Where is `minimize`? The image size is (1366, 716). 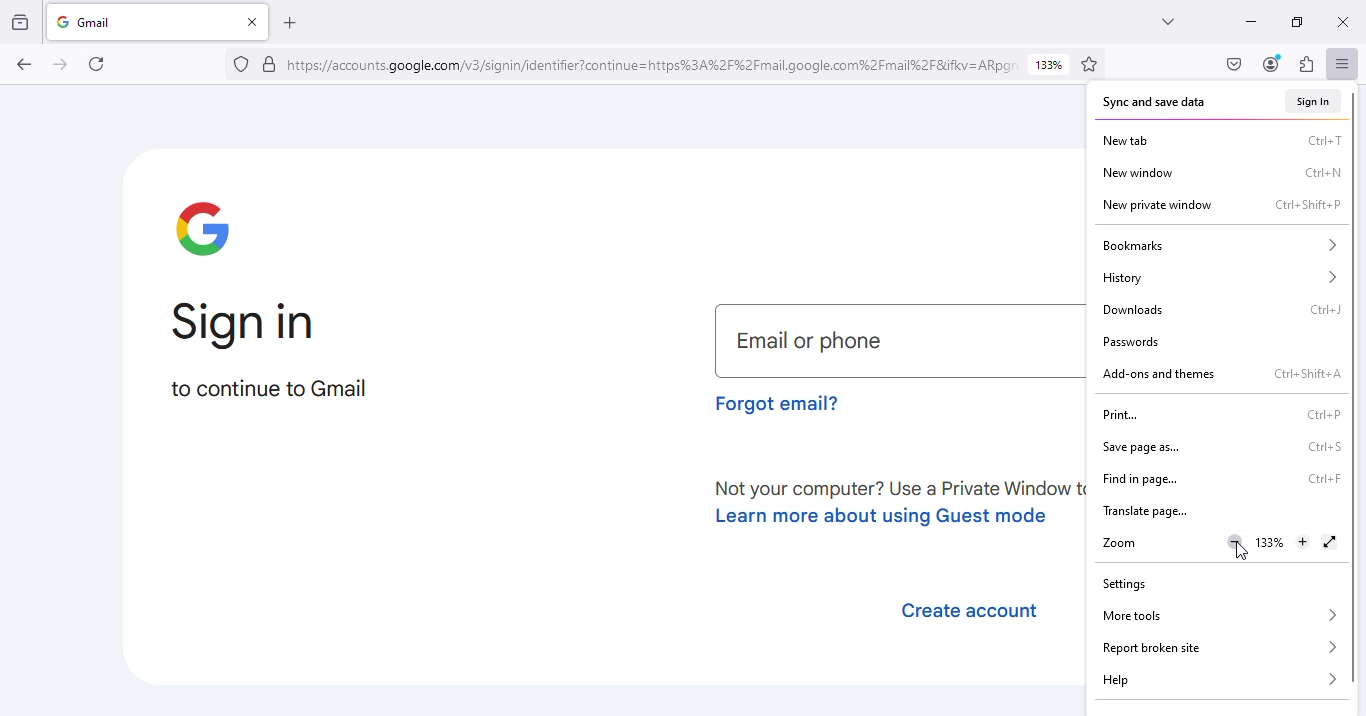
minimize is located at coordinates (1252, 23).